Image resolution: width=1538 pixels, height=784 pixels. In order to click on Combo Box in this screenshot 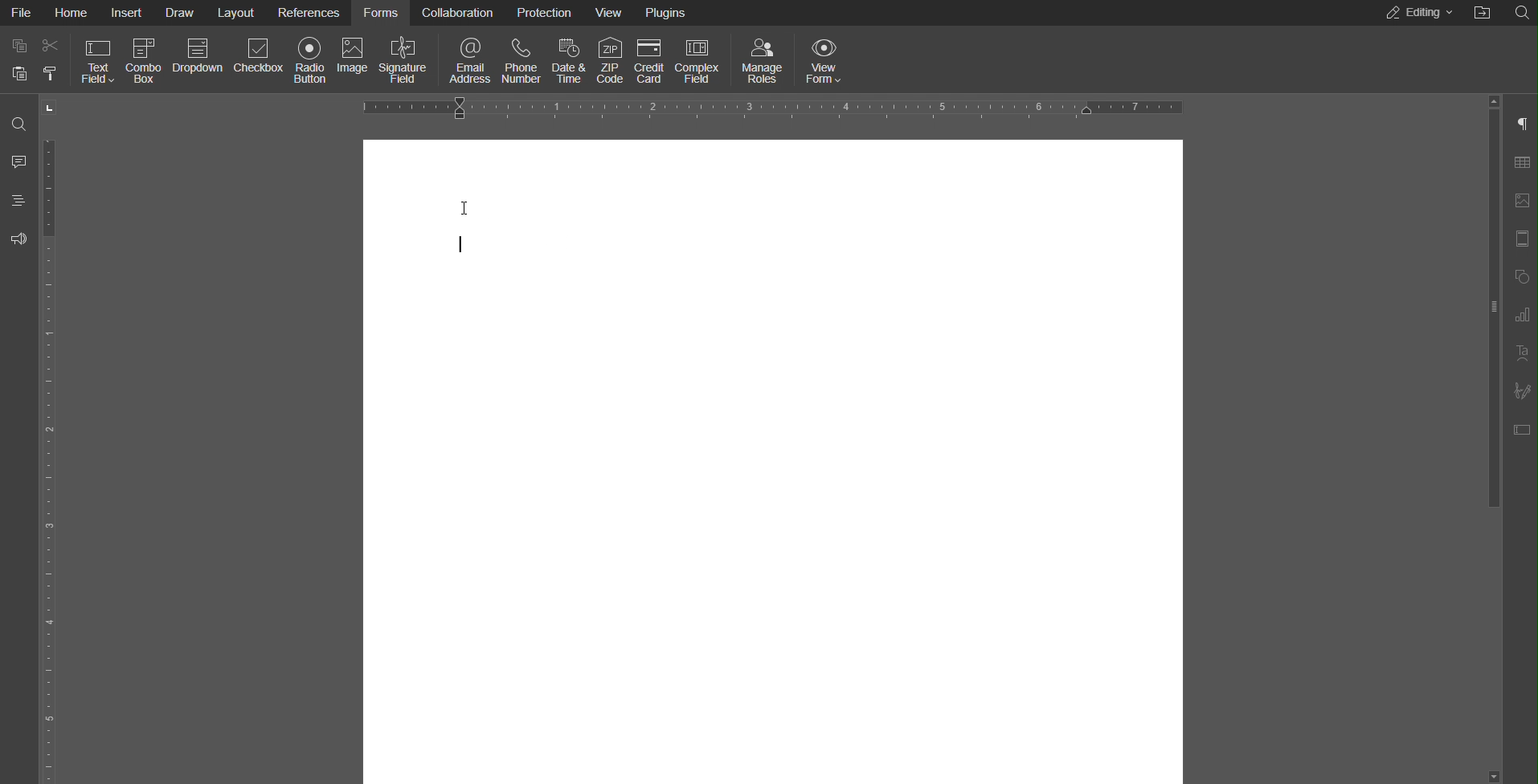, I will do `click(145, 59)`.